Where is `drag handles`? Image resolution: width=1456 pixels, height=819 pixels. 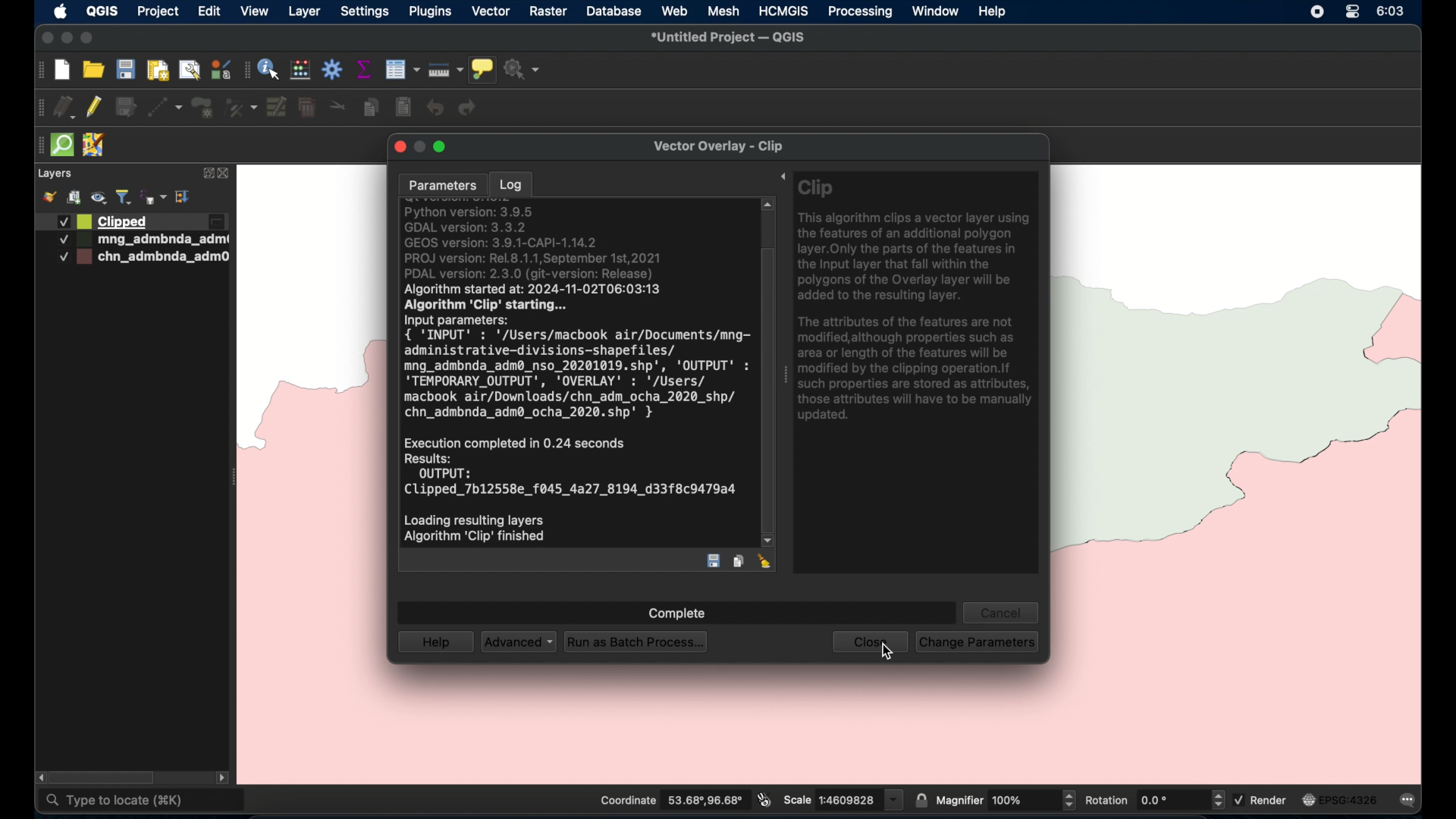 drag handles is located at coordinates (41, 108).